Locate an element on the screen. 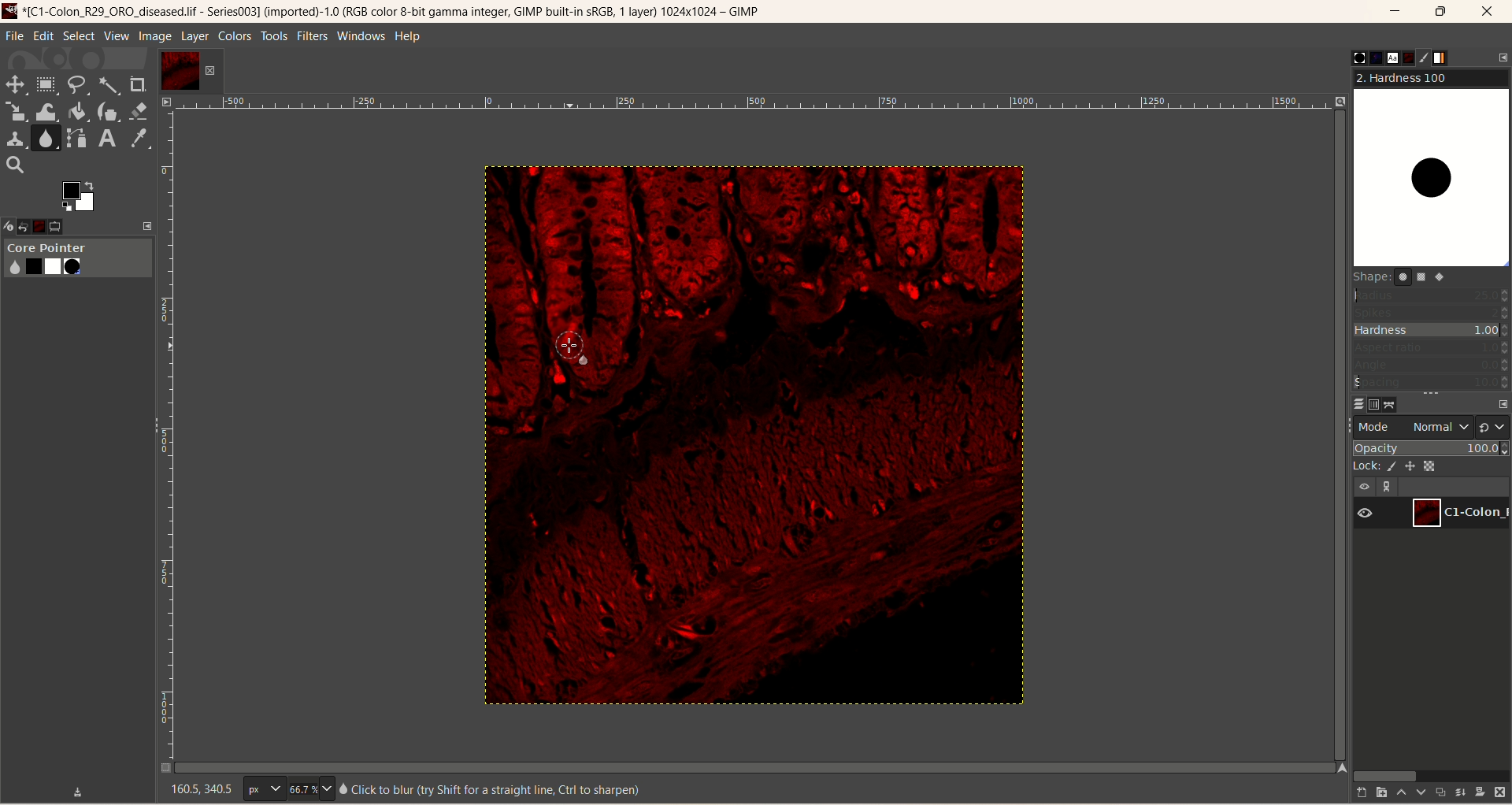 The image size is (1512, 805). clone tool is located at coordinates (14, 138).